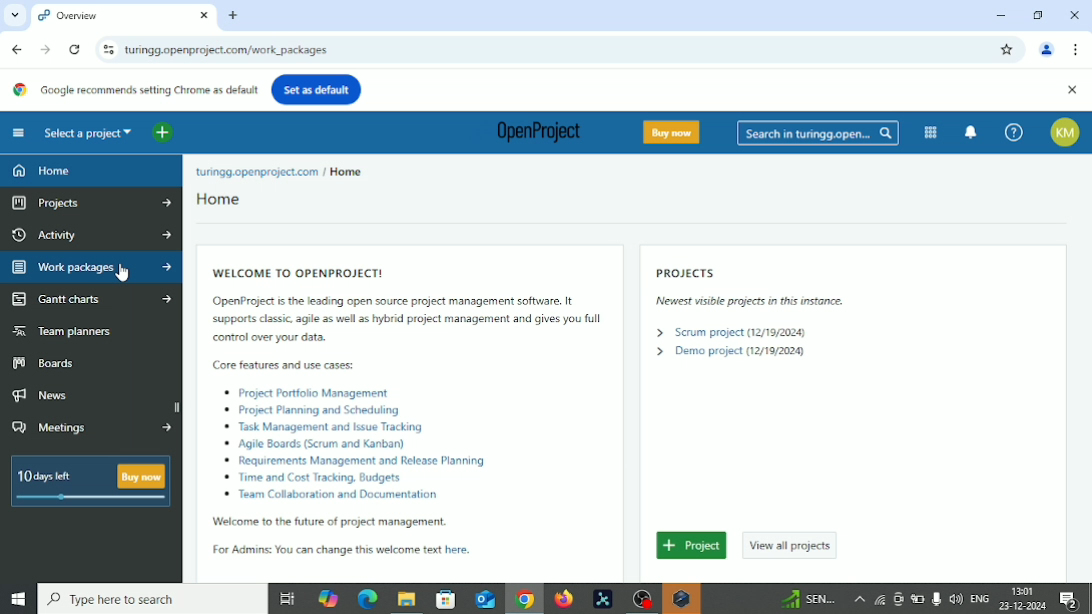 This screenshot has height=614, width=1092. Describe the element at coordinates (971, 130) in the screenshot. I see `To notification center` at that location.